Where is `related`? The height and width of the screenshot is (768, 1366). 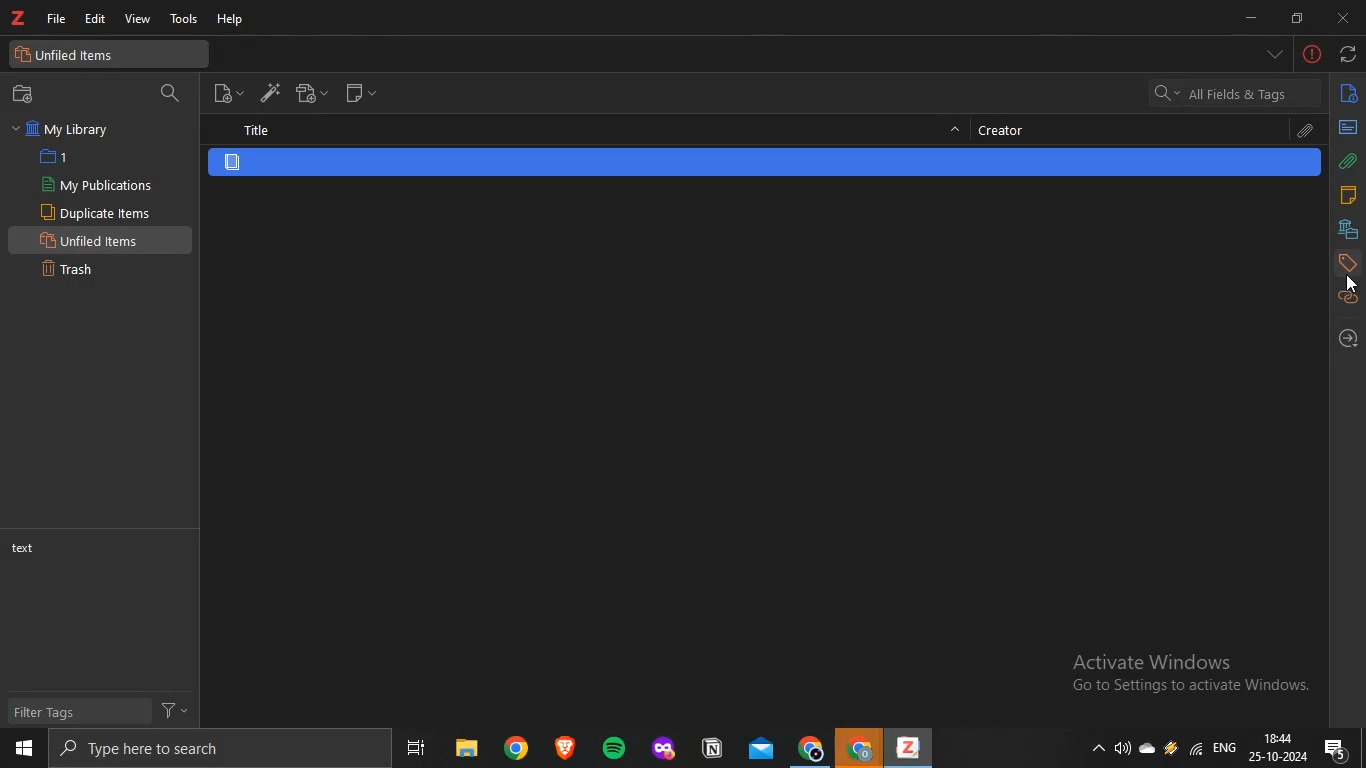
related is located at coordinates (1350, 296).